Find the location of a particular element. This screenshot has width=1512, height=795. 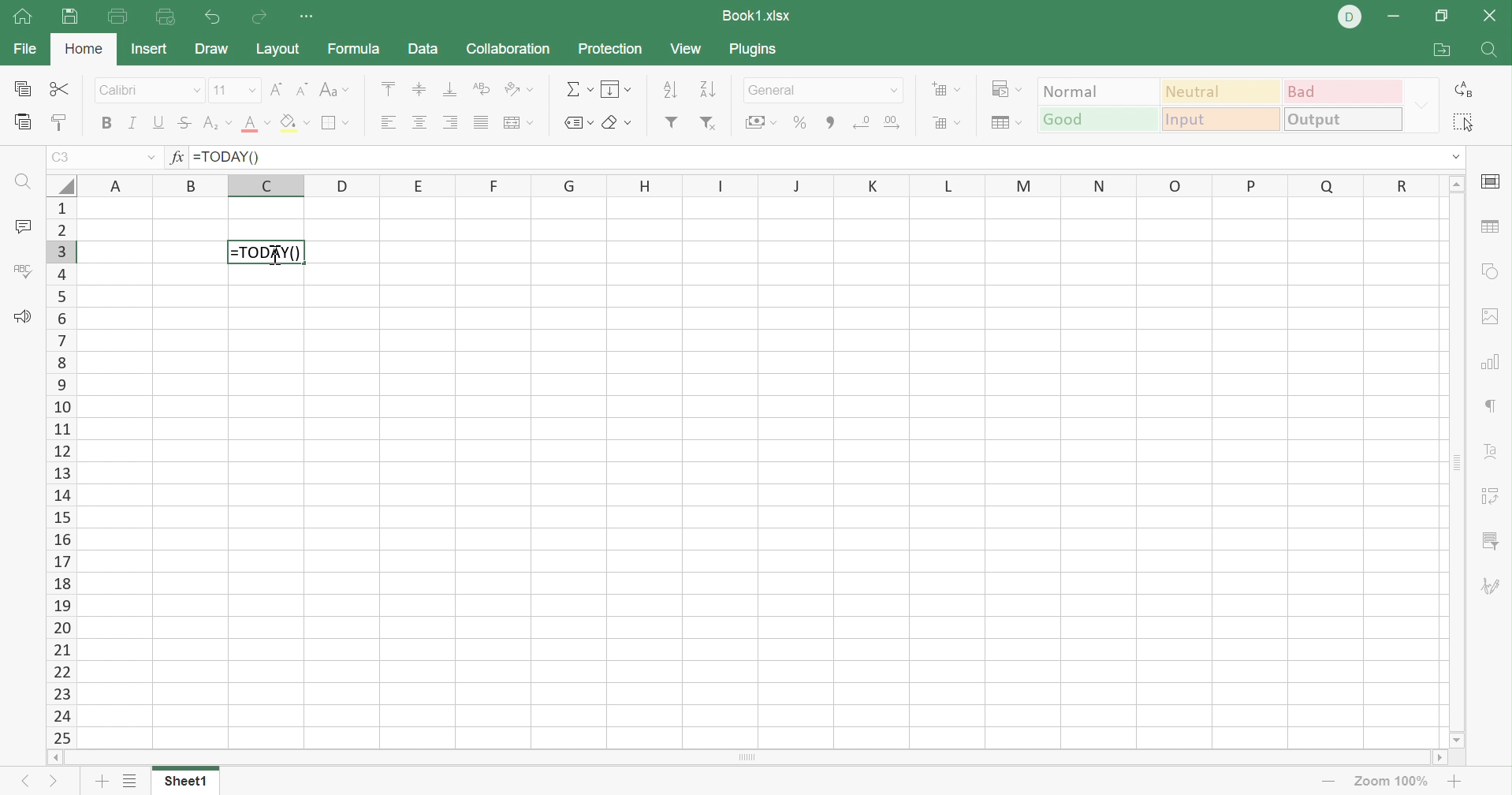

Align Top is located at coordinates (392, 86).